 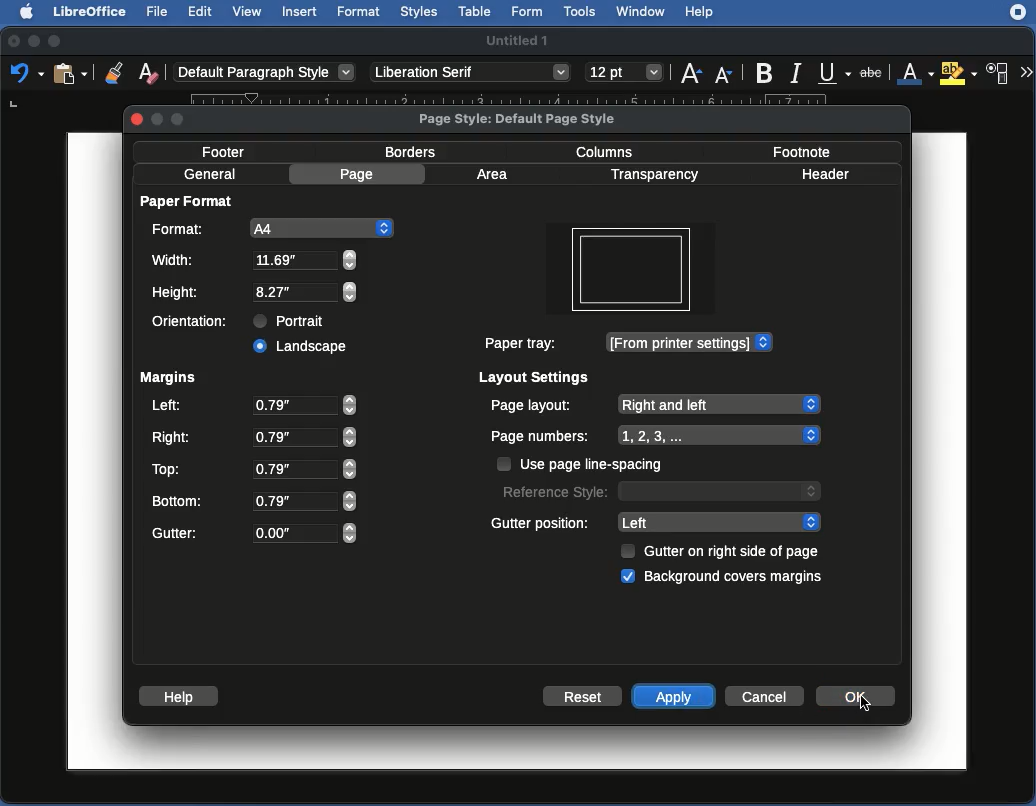 I want to click on Minimize, so click(x=34, y=40).